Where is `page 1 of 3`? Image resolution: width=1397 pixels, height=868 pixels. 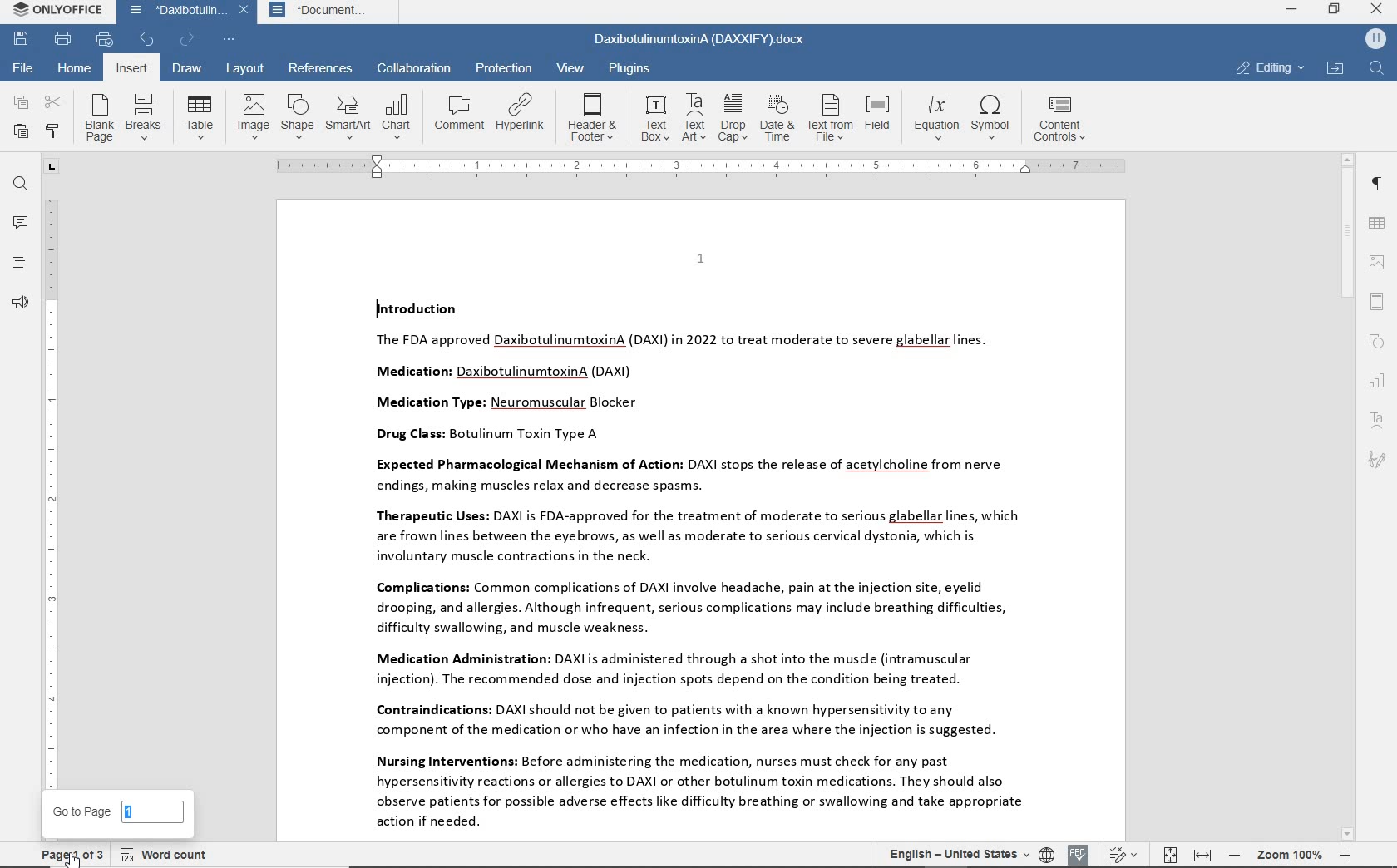 page 1 of 3 is located at coordinates (68, 855).